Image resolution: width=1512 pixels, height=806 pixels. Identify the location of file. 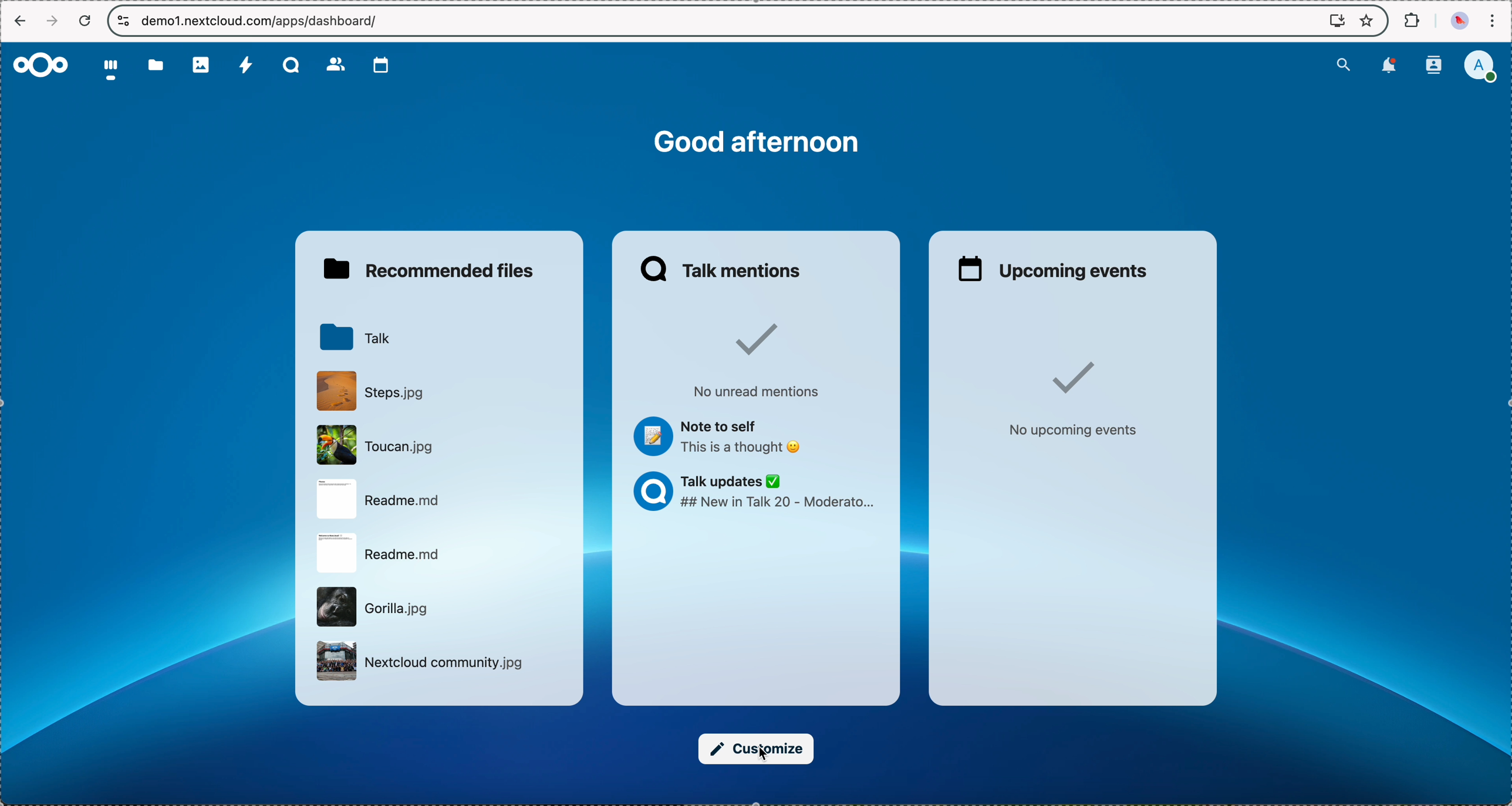
(383, 500).